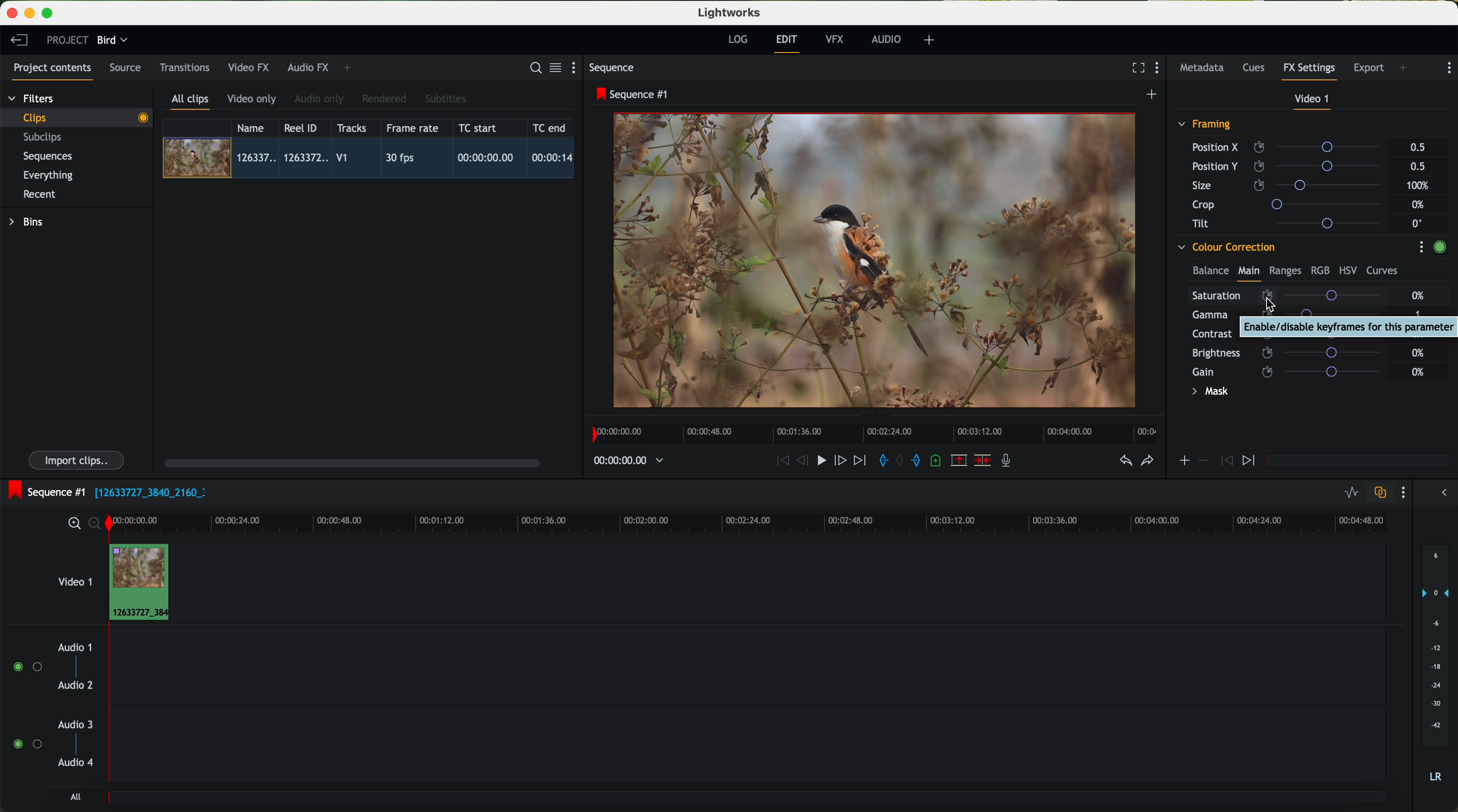 The width and height of the screenshot is (1458, 812). Describe the element at coordinates (1439, 248) in the screenshot. I see `enable` at that location.